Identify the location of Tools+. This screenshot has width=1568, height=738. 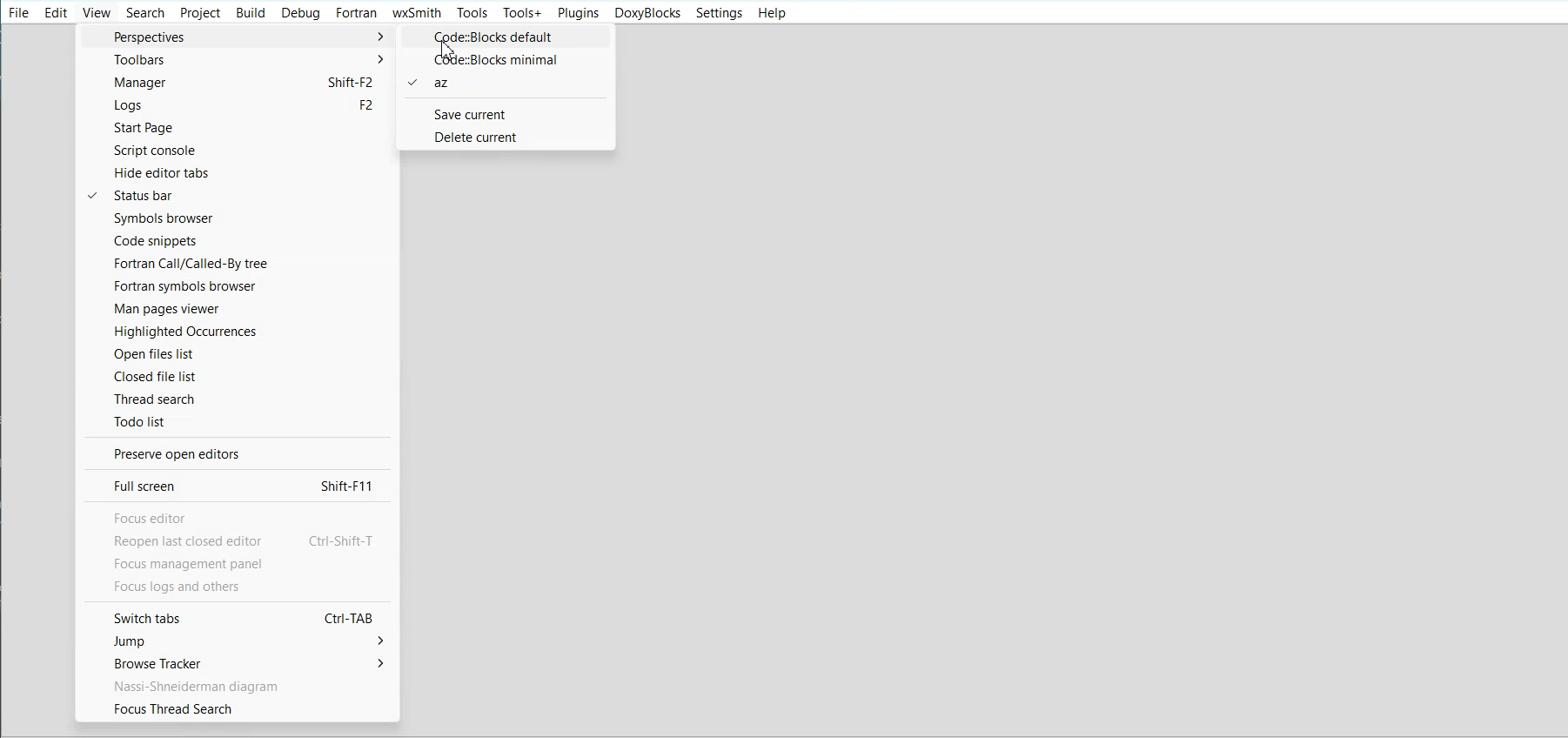
(522, 13).